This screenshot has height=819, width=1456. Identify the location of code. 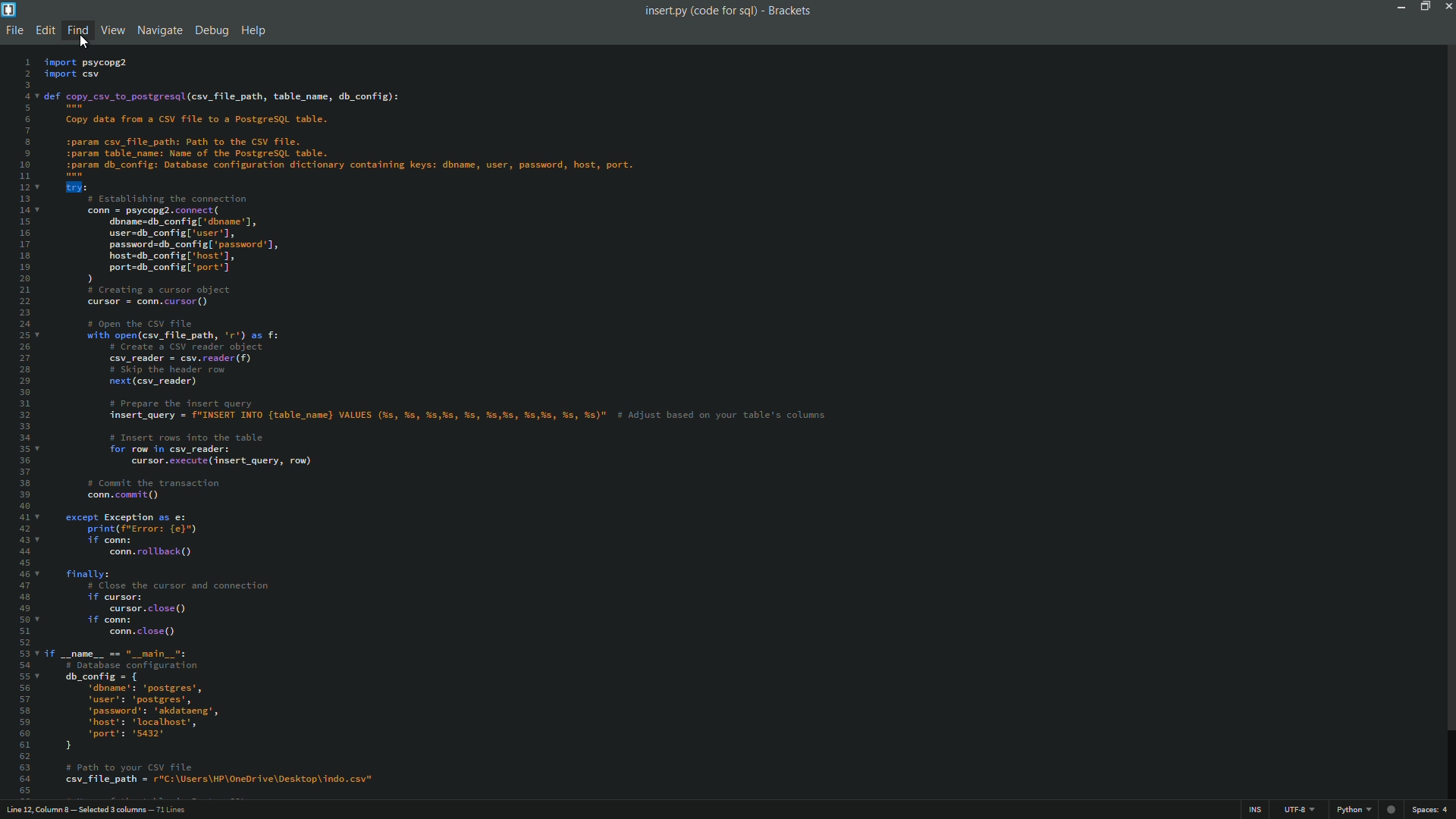
(445, 423).